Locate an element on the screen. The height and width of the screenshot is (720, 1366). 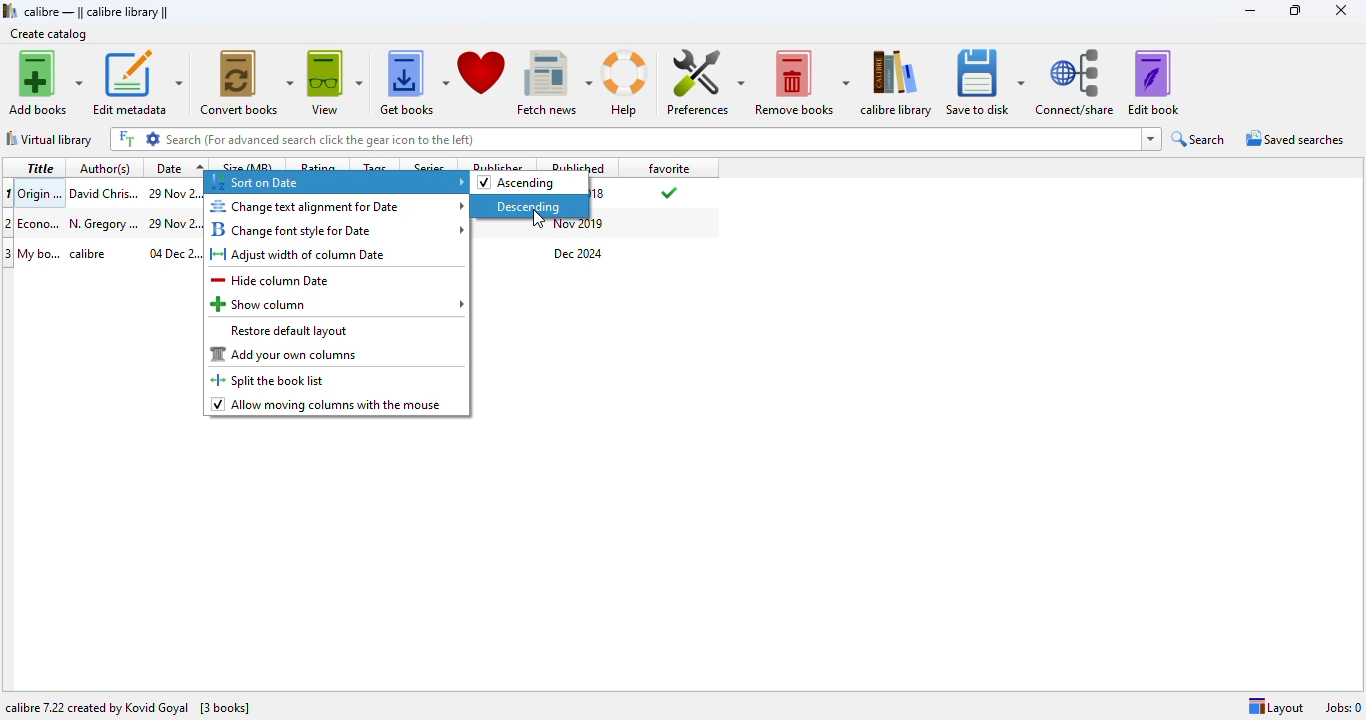
adjust with of column date is located at coordinates (299, 255).